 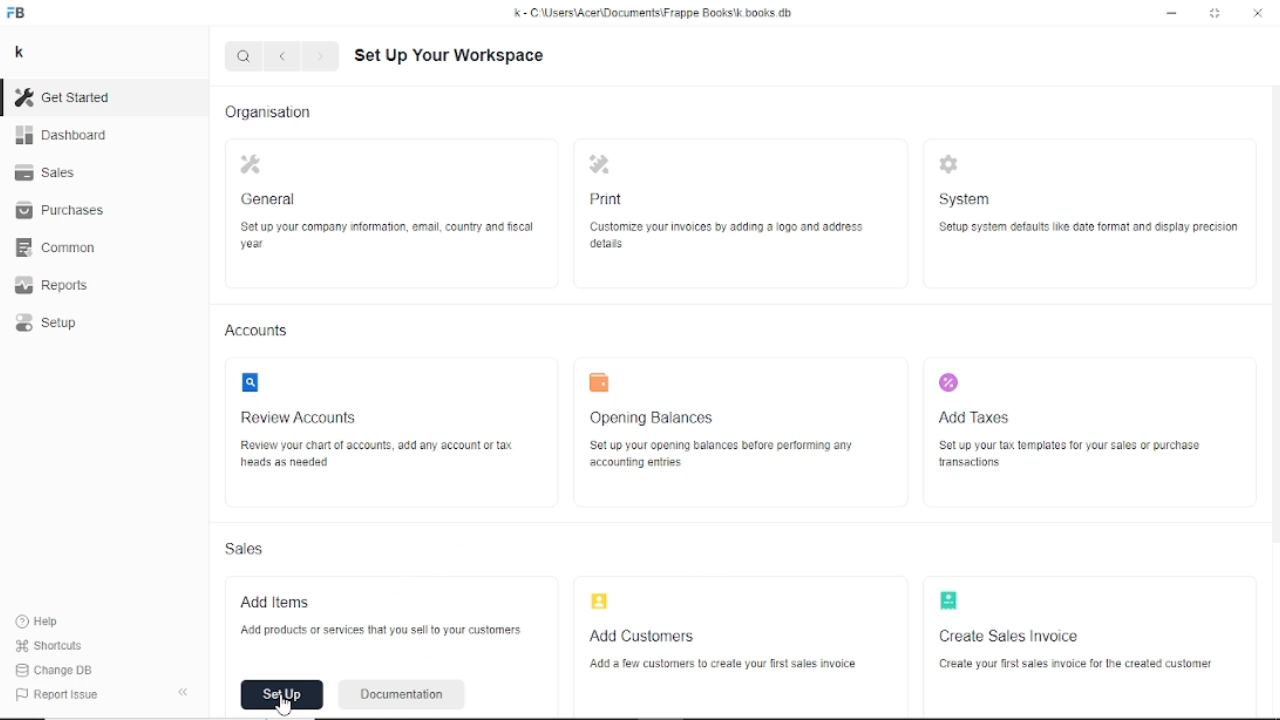 What do you see at coordinates (721, 201) in the screenshot?
I see `Print    Customize your invoices by adding a logo and address details.` at bounding box center [721, 201].